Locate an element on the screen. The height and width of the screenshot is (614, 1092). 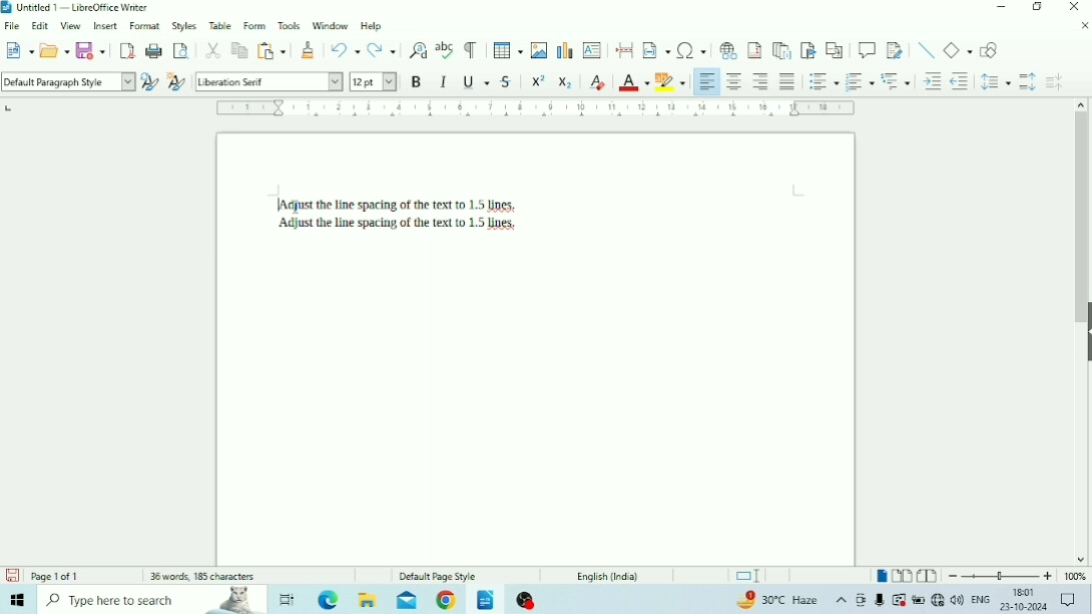
Insert Bookmark is located at coordinates (809, 49).